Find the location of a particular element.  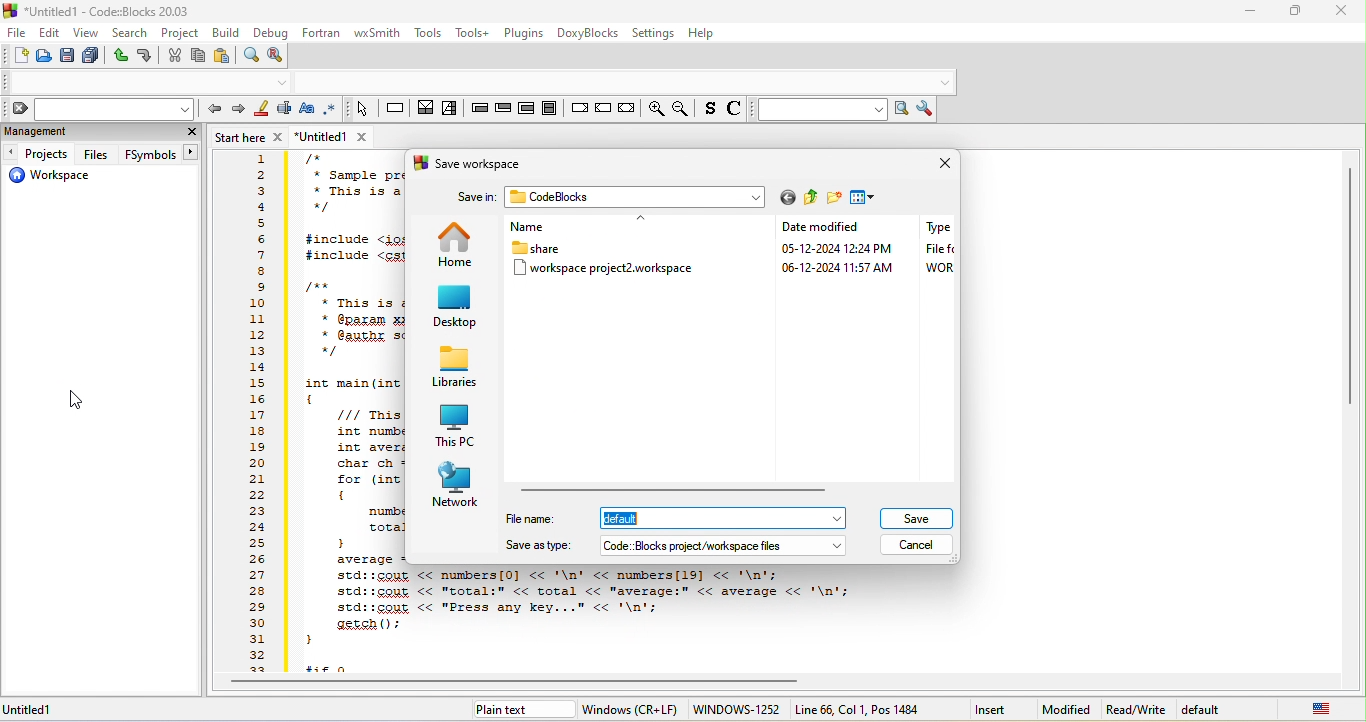

vertical scroll bar is located at coordinates (1350, 285).